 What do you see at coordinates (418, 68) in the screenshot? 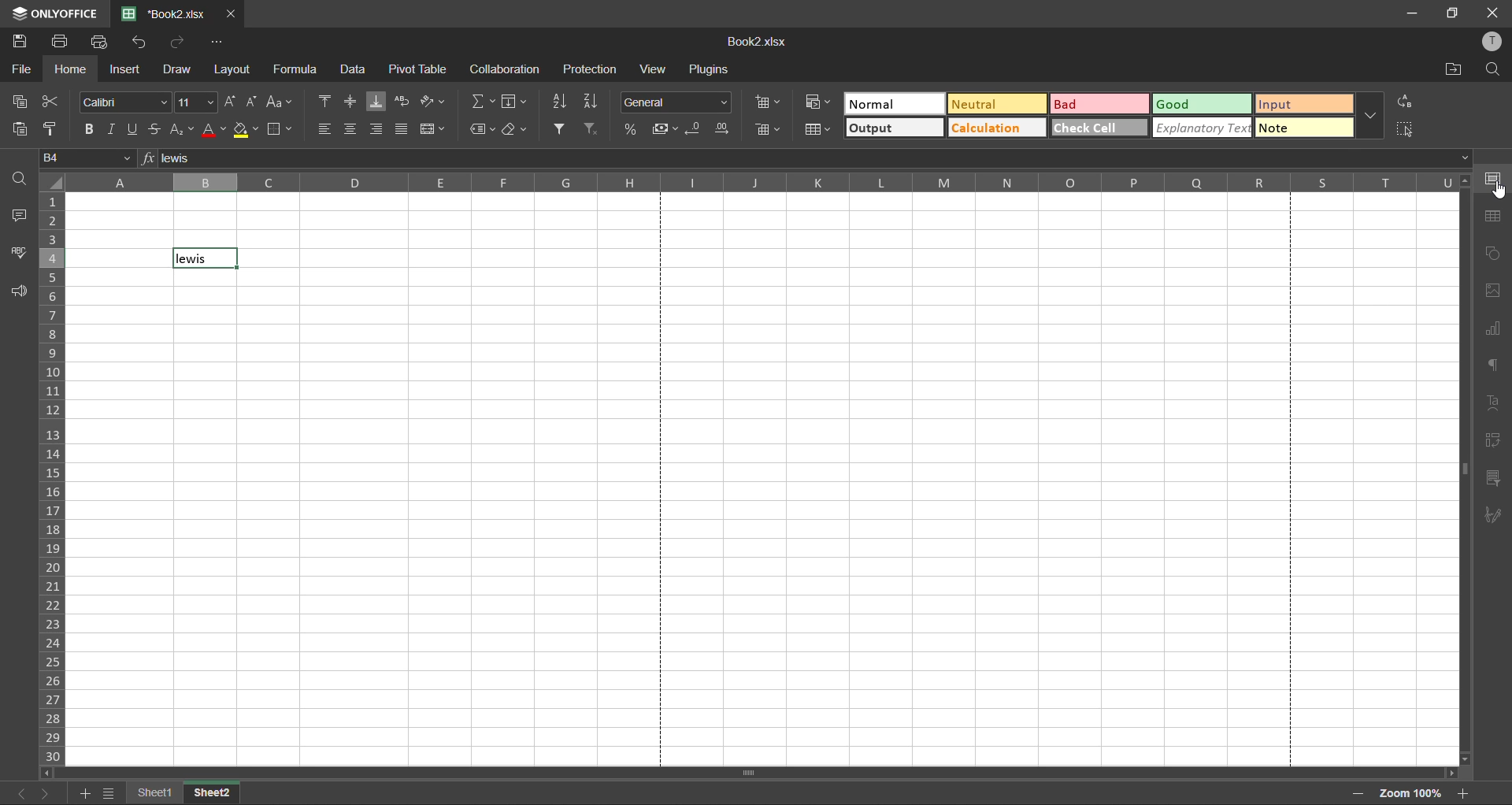
I see `pivot table` at bounding box center [418, 68].